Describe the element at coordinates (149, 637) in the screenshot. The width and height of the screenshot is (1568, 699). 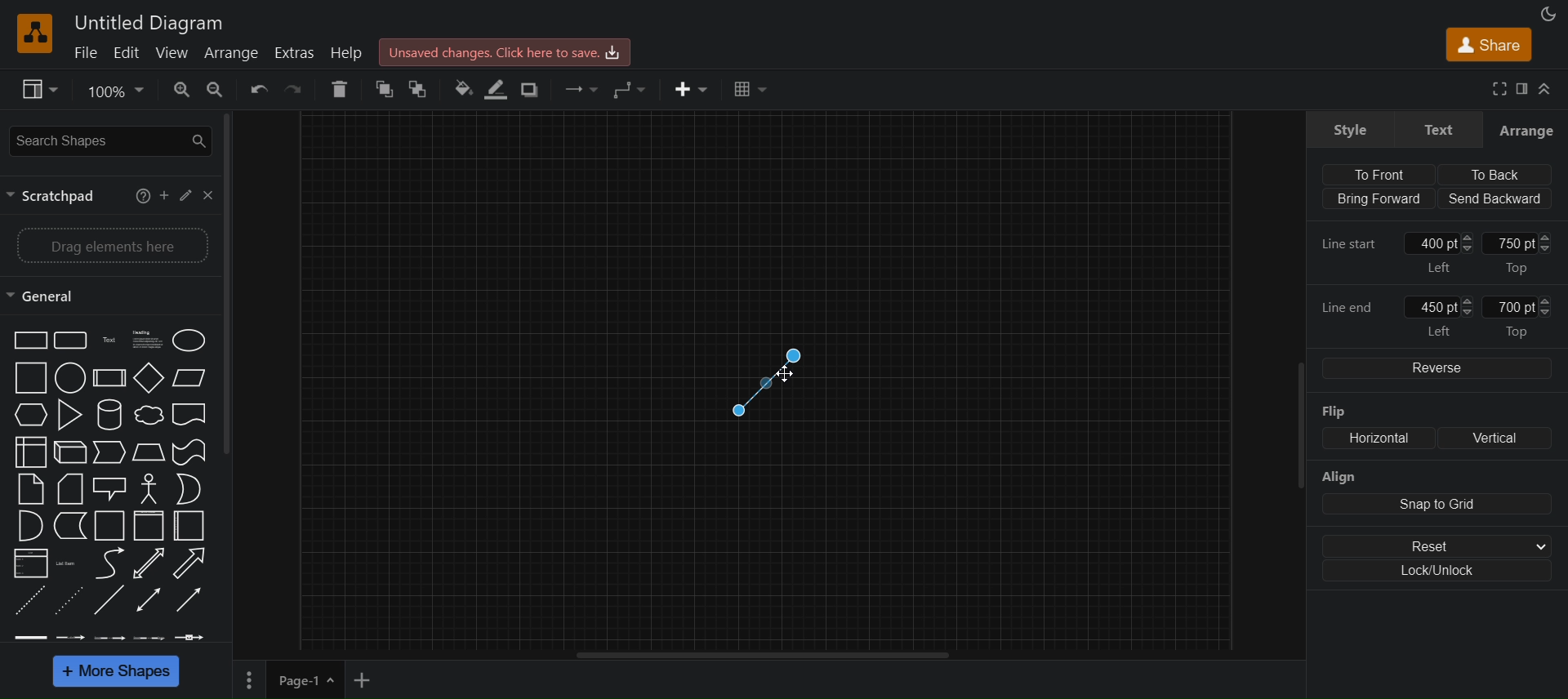
I see `connector 4` at that location.